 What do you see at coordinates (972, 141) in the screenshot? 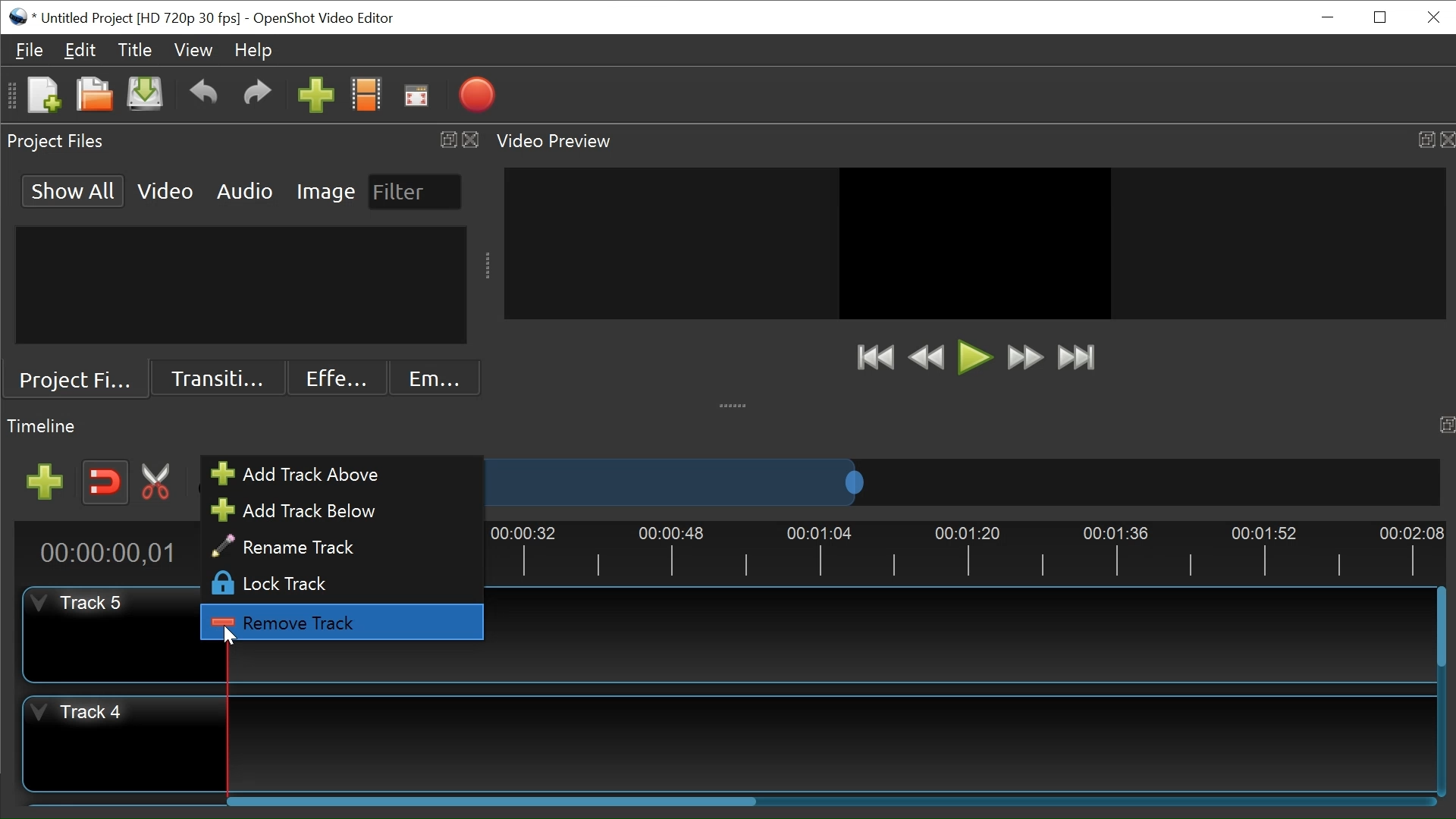
I see `Video Preview Panel` at bounding box center [972, 141].